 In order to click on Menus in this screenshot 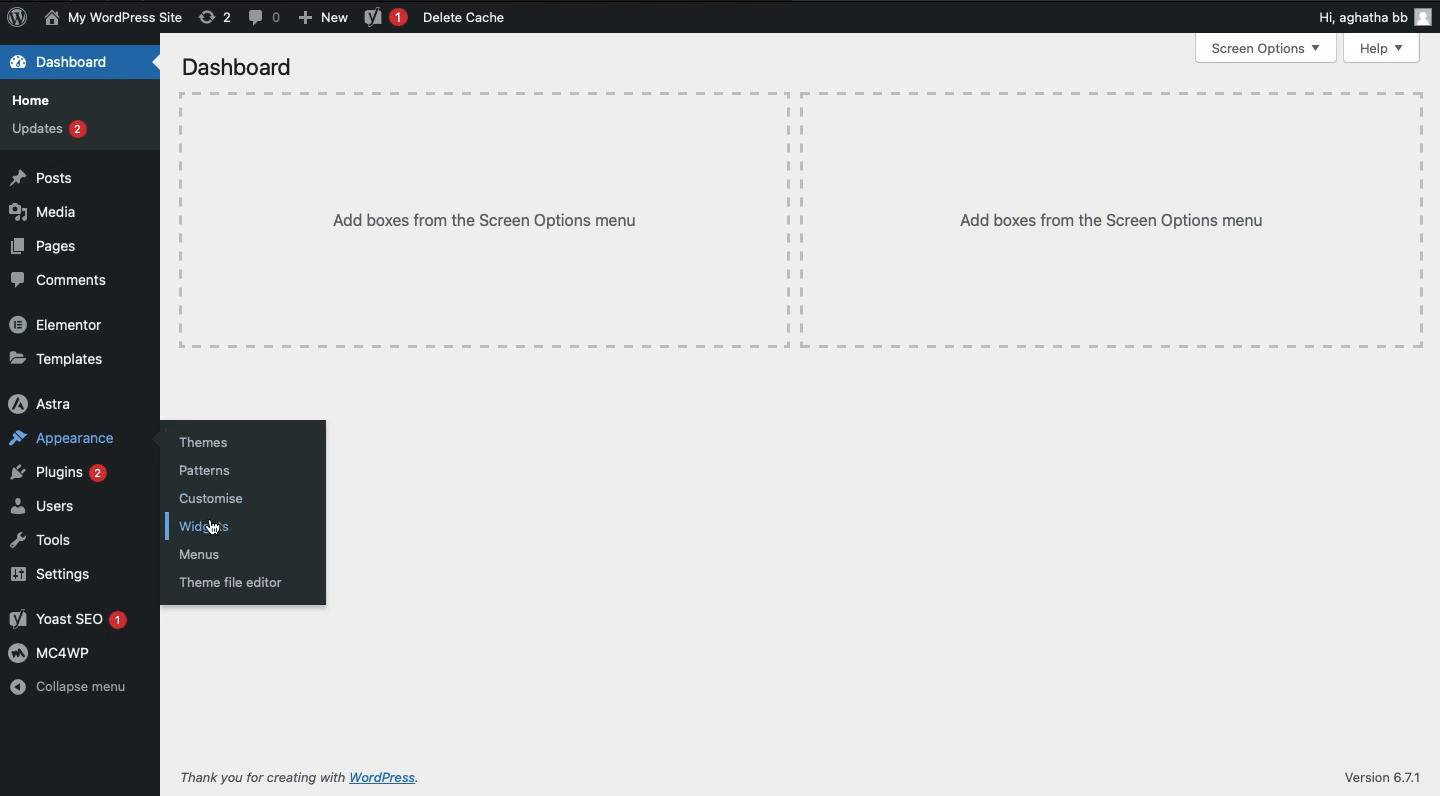, I will do `click(215, 556)`.